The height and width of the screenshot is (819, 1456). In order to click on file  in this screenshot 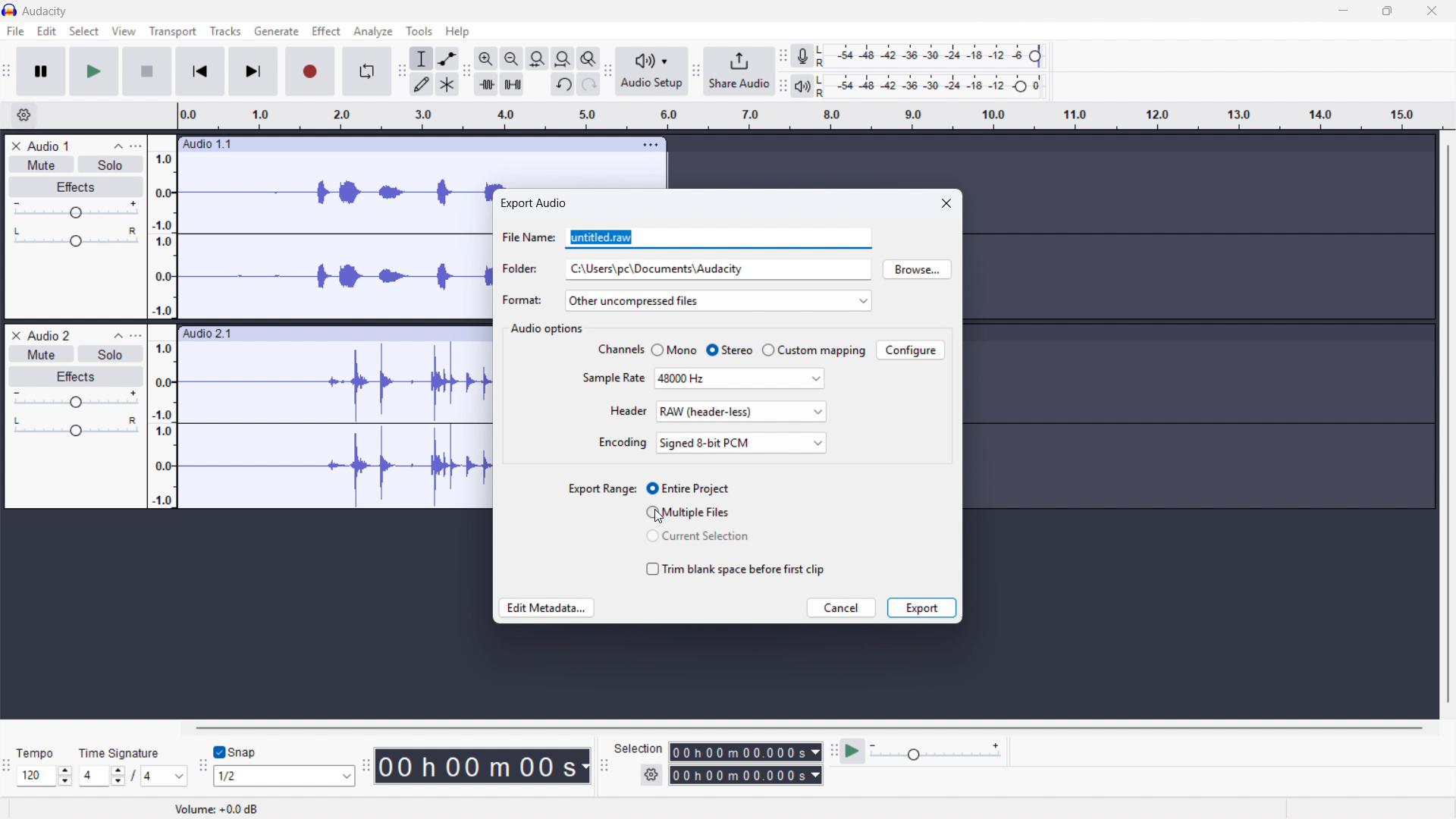, I will do `click(16, 32)`.